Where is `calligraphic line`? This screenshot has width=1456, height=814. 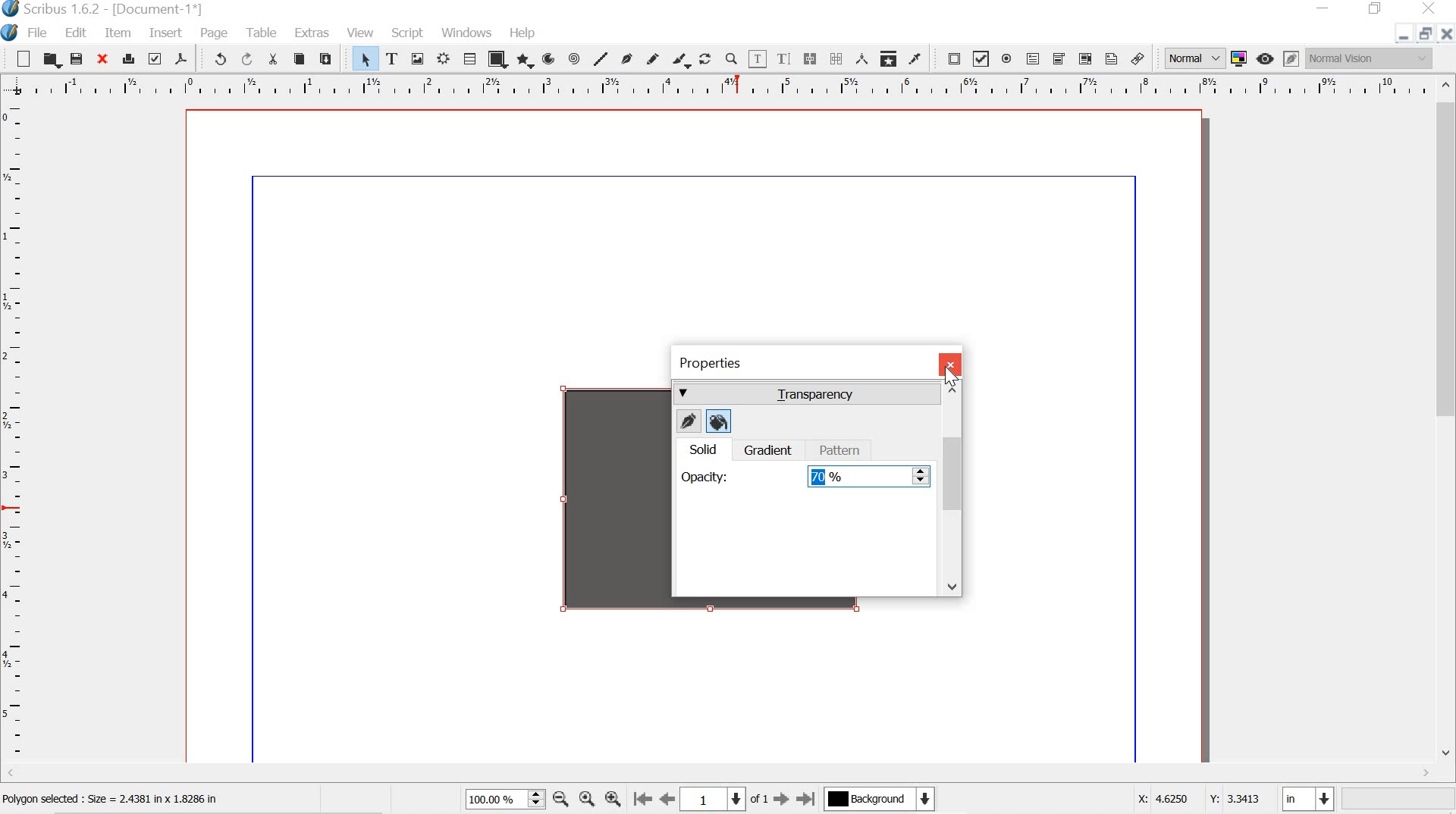
calligraphic line is located at coordinates (679, 60).